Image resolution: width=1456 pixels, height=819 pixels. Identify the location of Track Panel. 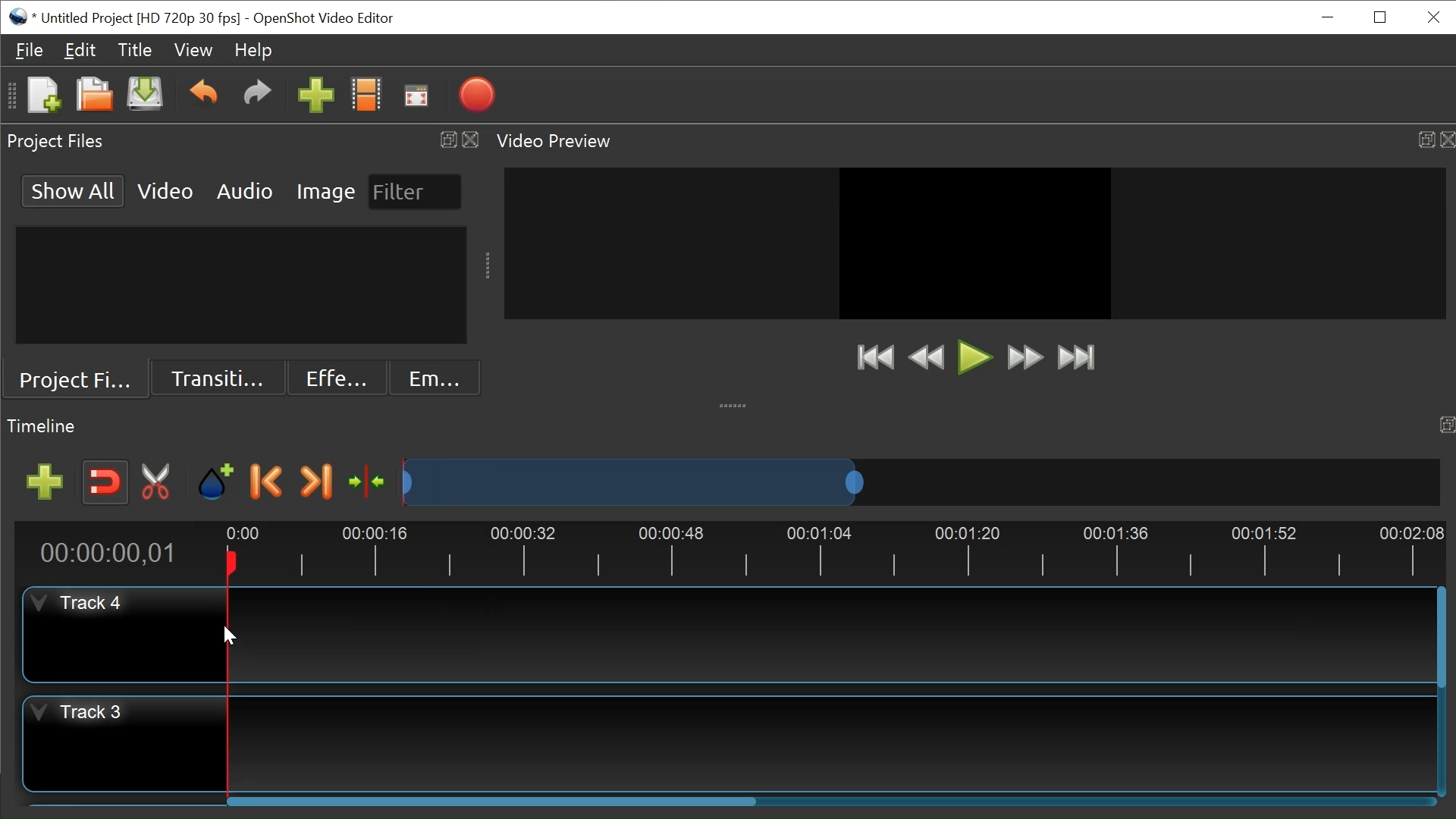
(827, 632).